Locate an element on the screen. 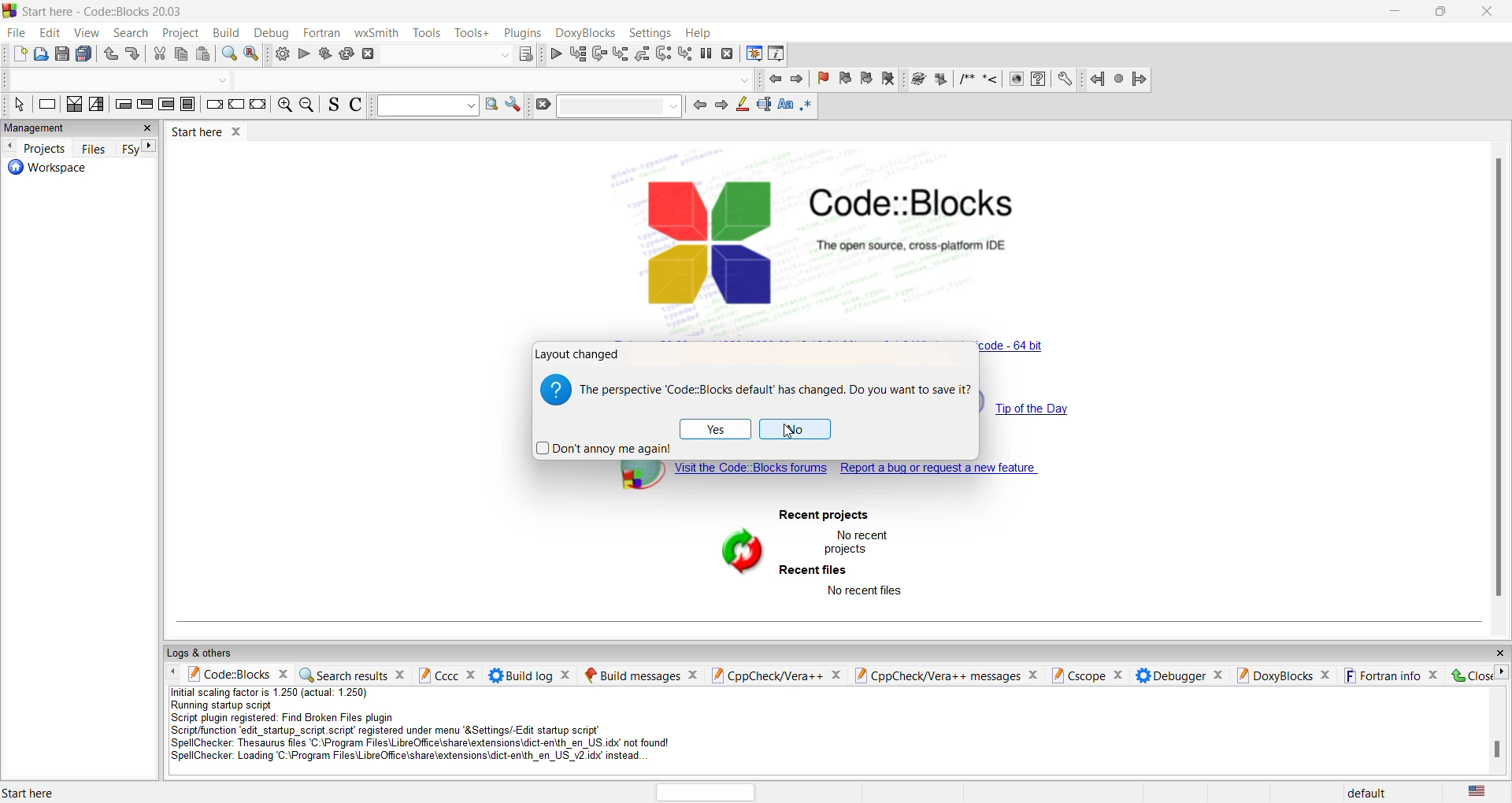 The image size is (1512, 803). replace is located at coordinates (253, 57).